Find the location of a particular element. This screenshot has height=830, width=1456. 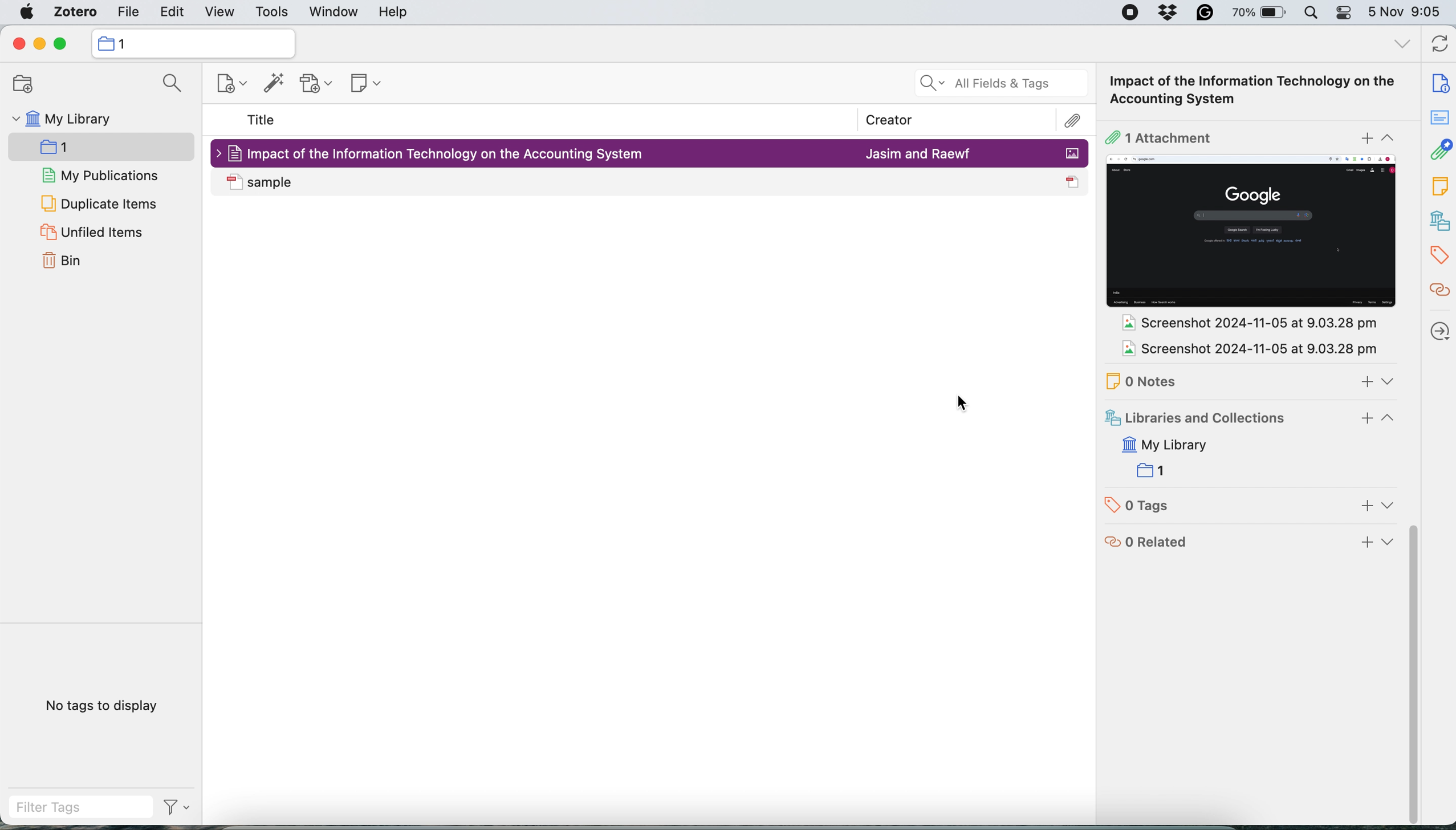

screen recorder is located at coordinates (1121, 14).